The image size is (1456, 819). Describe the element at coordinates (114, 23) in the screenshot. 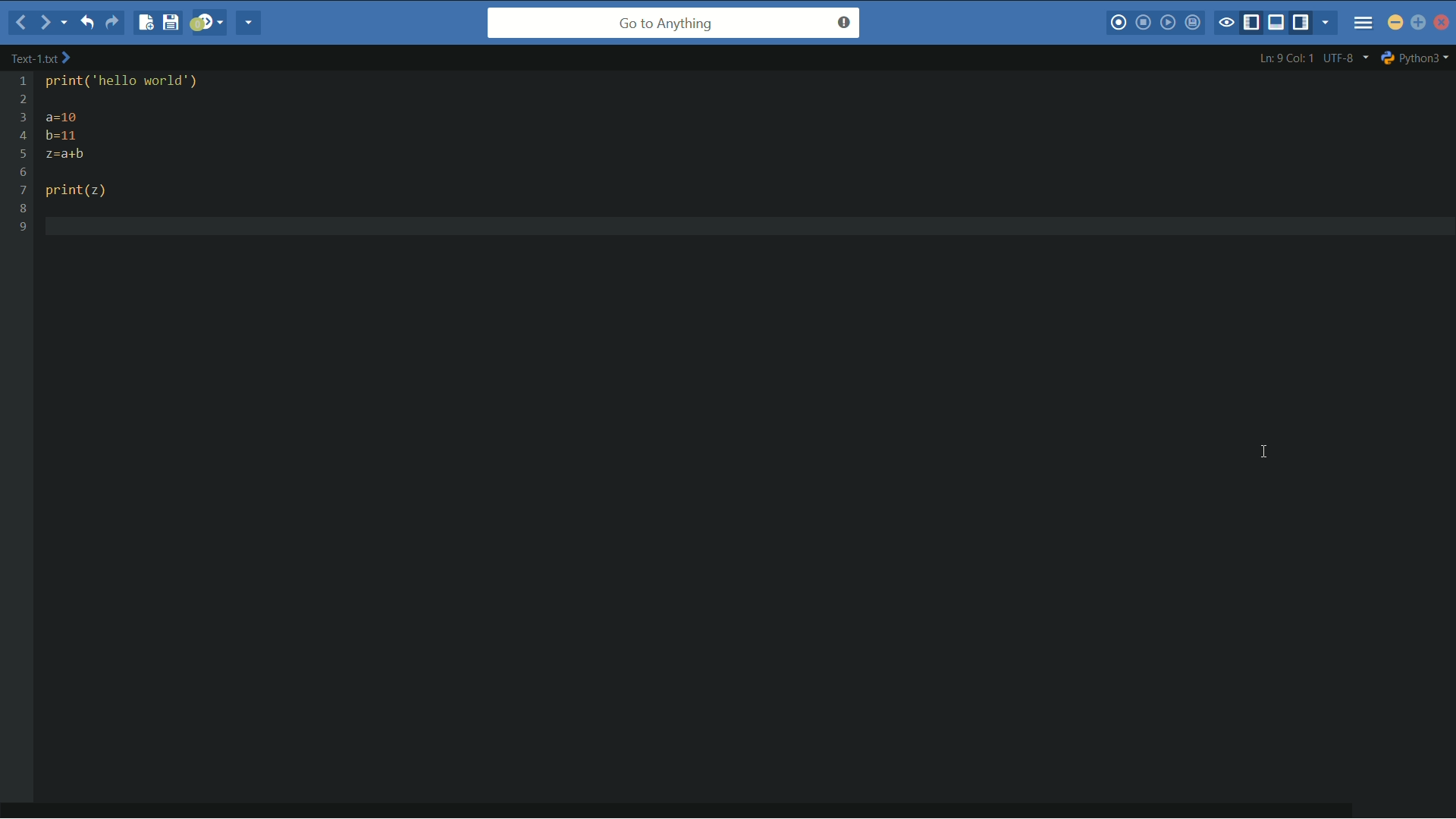

I see `redo` at that location.